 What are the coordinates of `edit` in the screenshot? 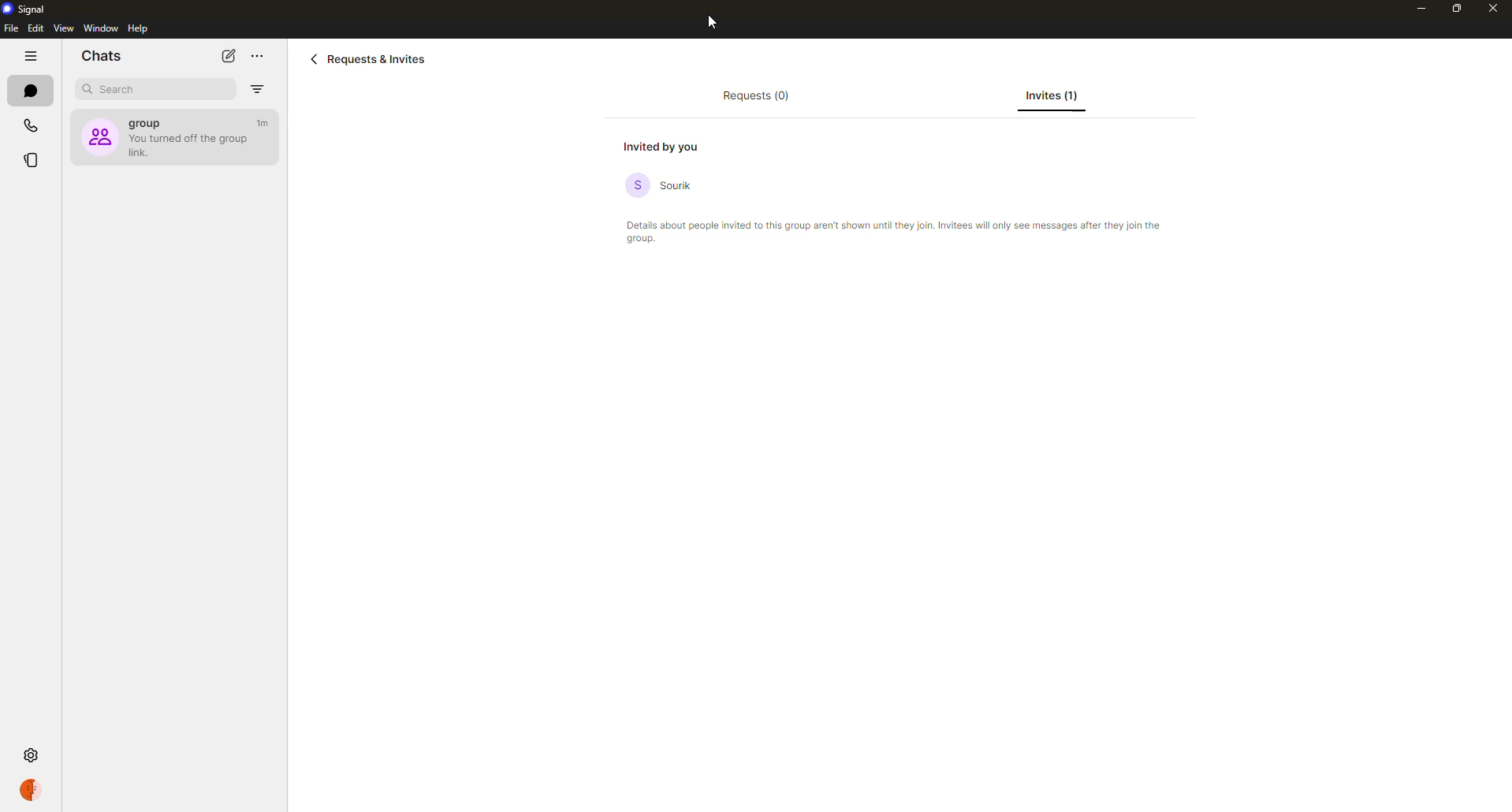 It's located at (36, 29).